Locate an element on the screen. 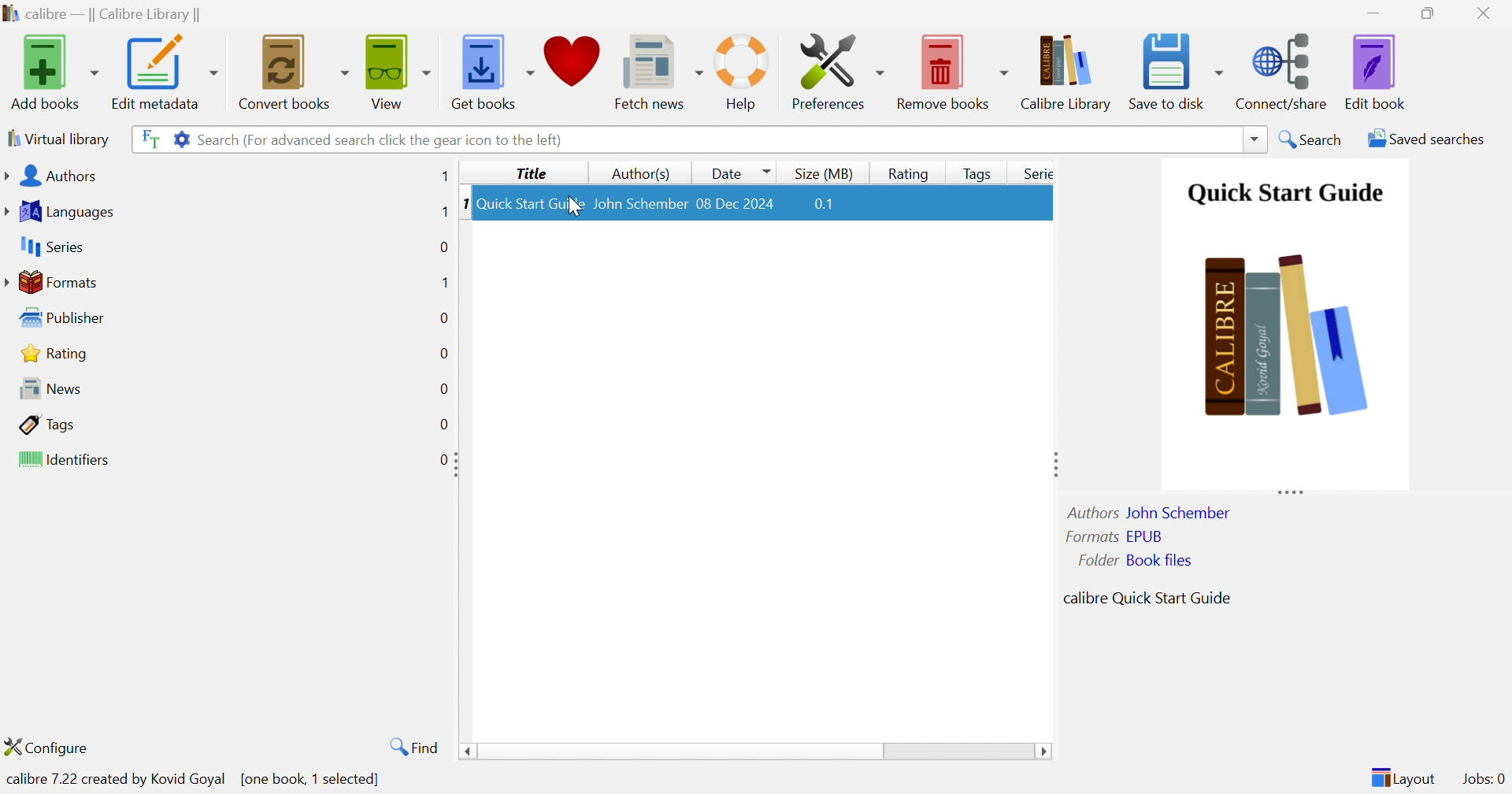 The width and height of the screenshot is (1512, 794). Donate to support Calibre is located at coordinates (573, 66).